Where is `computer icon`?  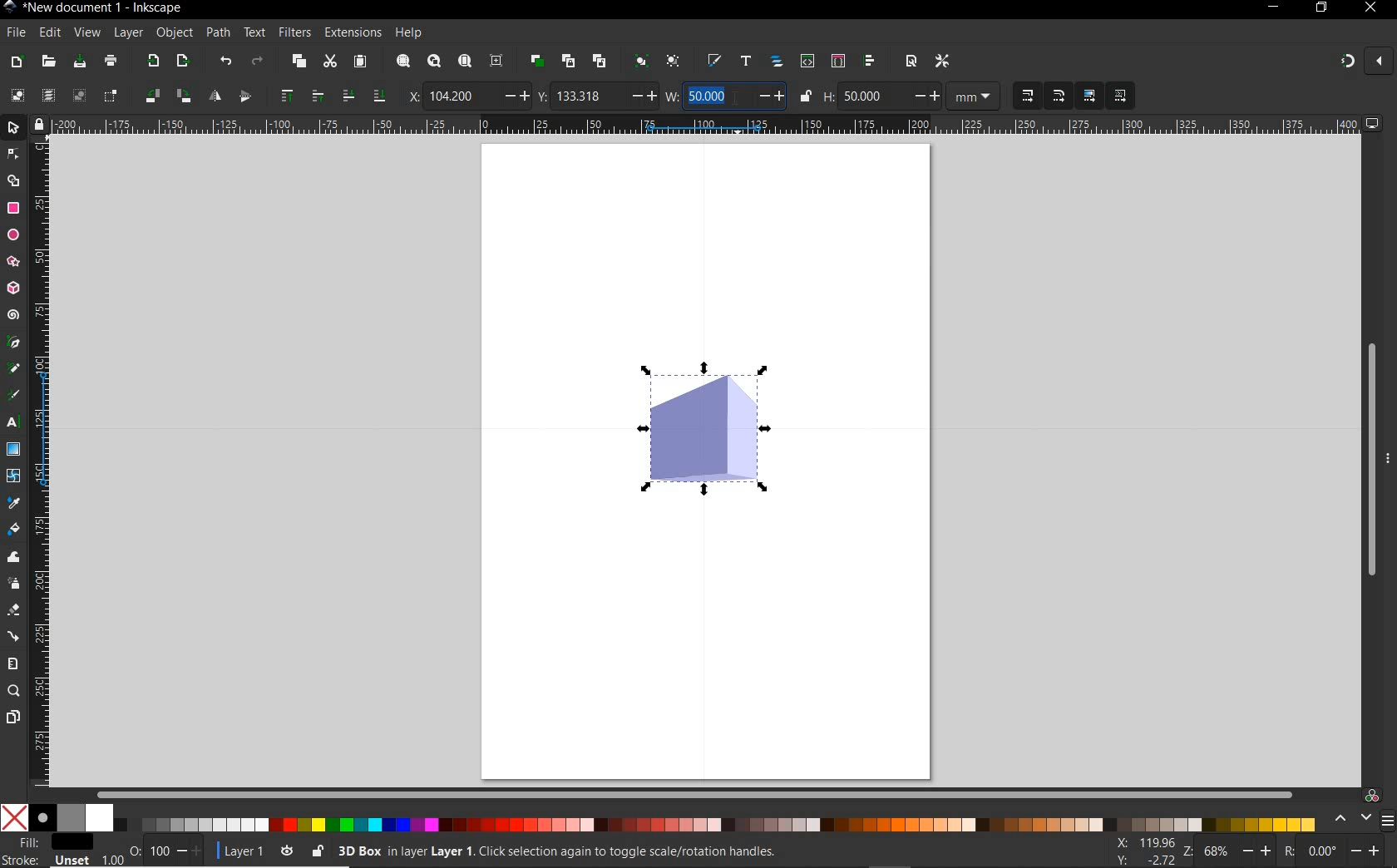 computer icon is located at coordinates (1375, 124).